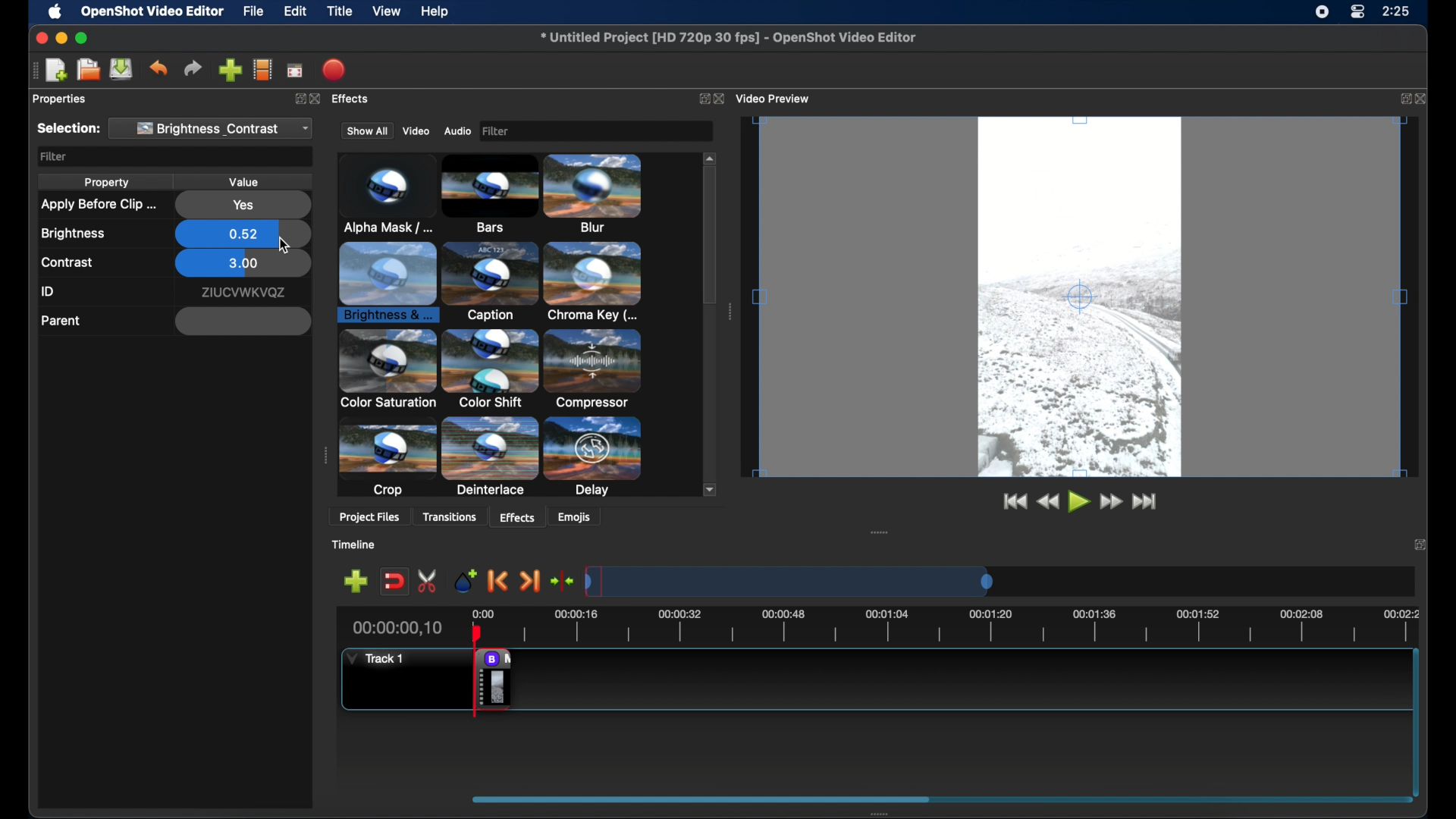 This screenshot has height=819, width=1456. I want to click on property, so click(106, 184).